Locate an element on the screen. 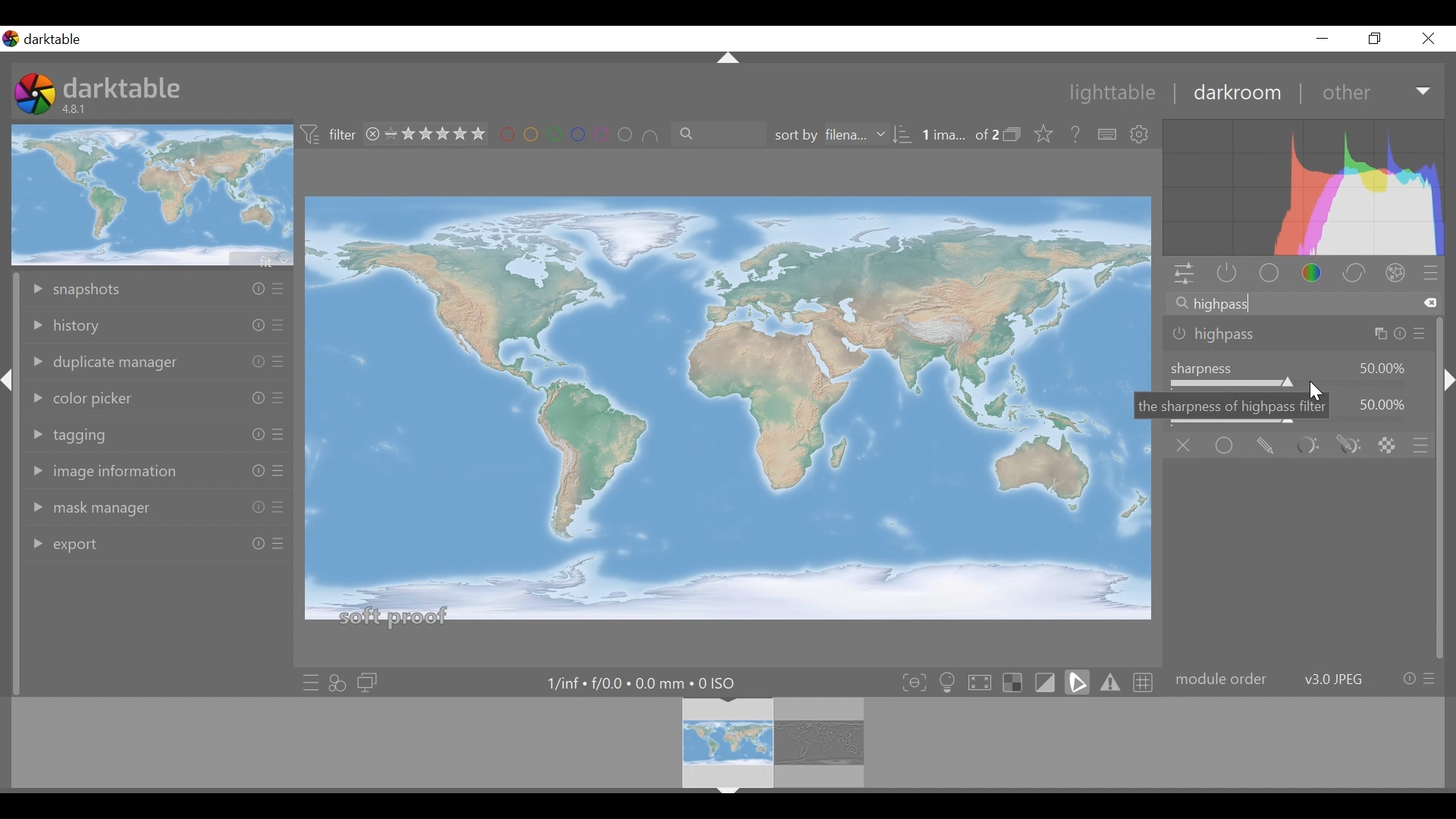 This screenshot has width=1456, height=819. toggle ISO 12646 is located at coordinates (948, 680).